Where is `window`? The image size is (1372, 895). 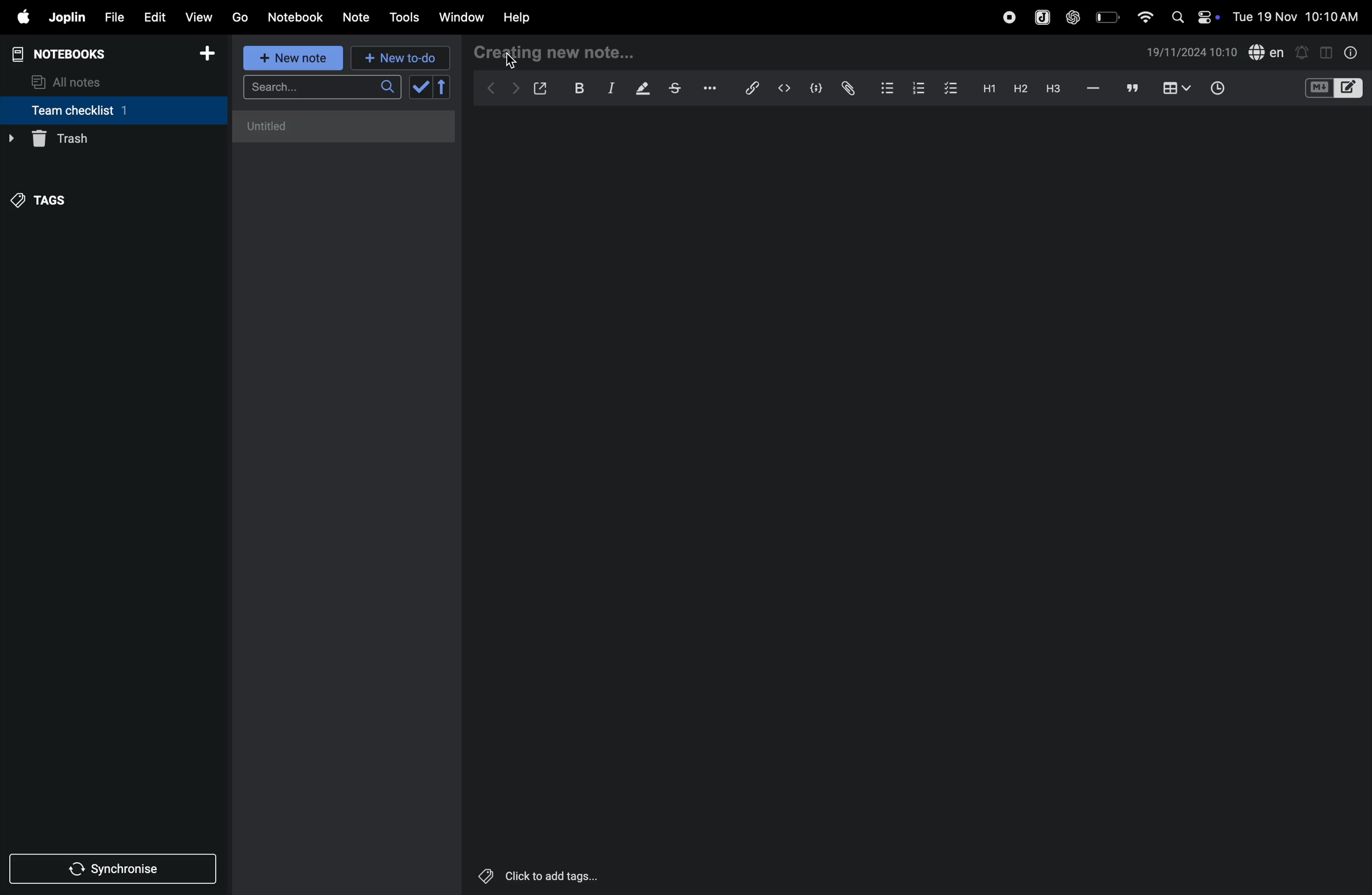
window is located at coordinates (461, 18).